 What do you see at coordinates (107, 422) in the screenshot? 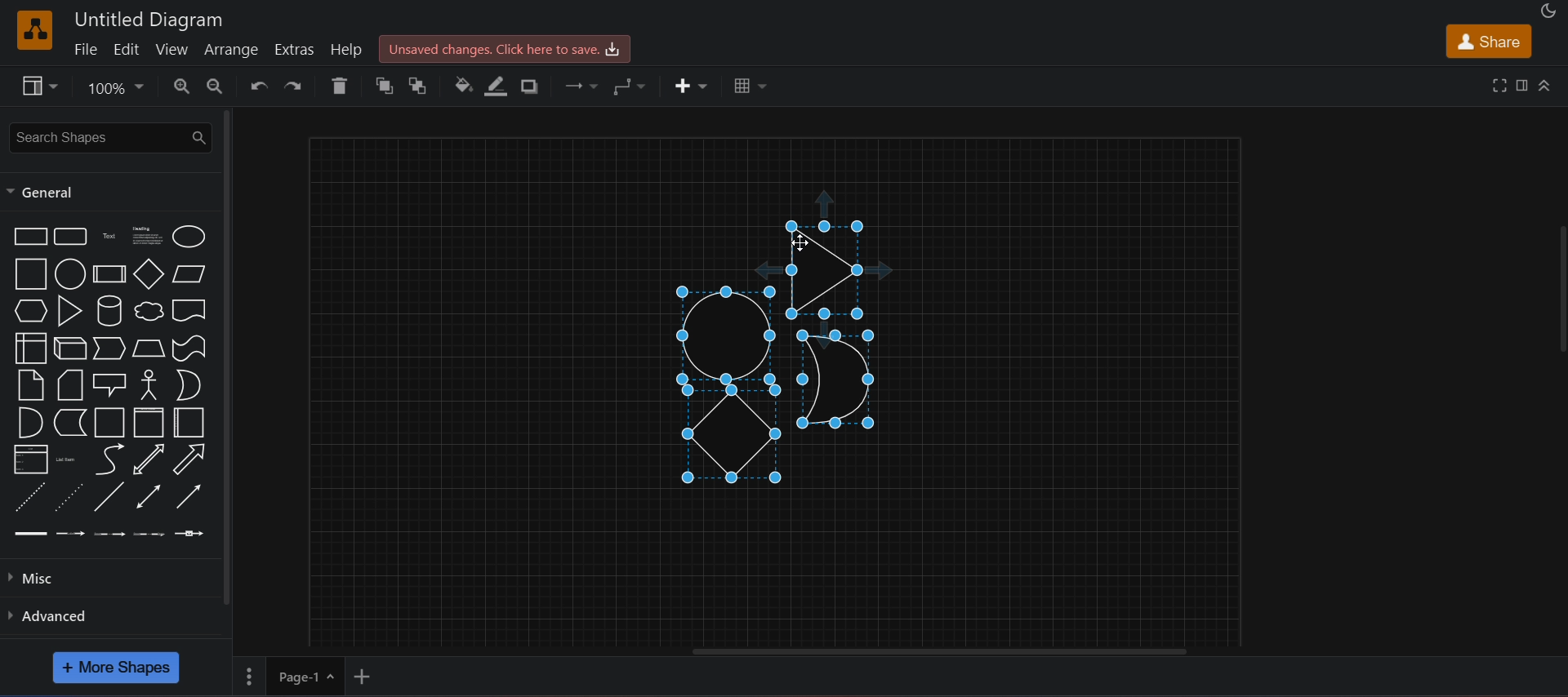
I see `container` at bounding box center [107, 422].